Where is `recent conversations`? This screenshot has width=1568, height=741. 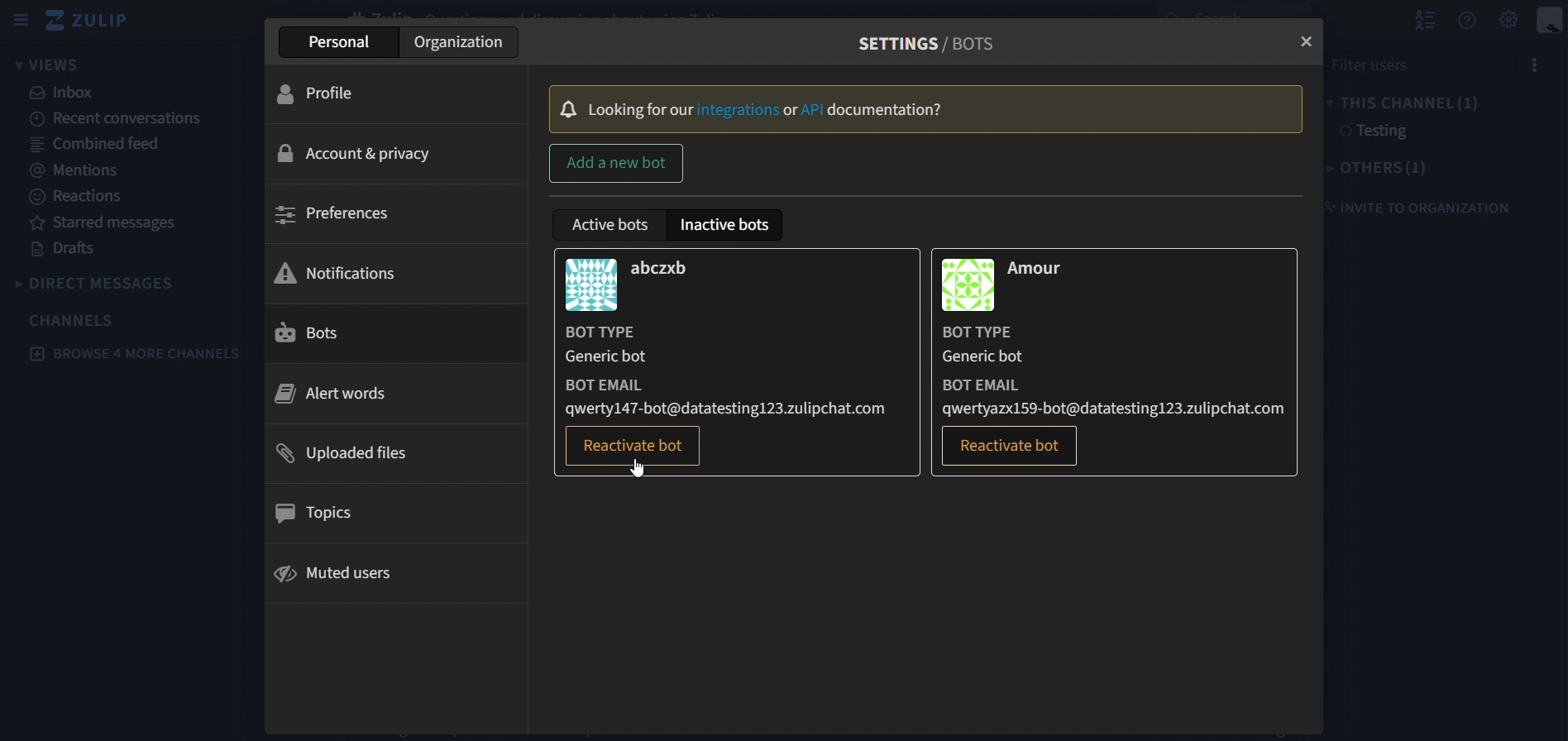 recent conversations is located at coordinates (128, 117).